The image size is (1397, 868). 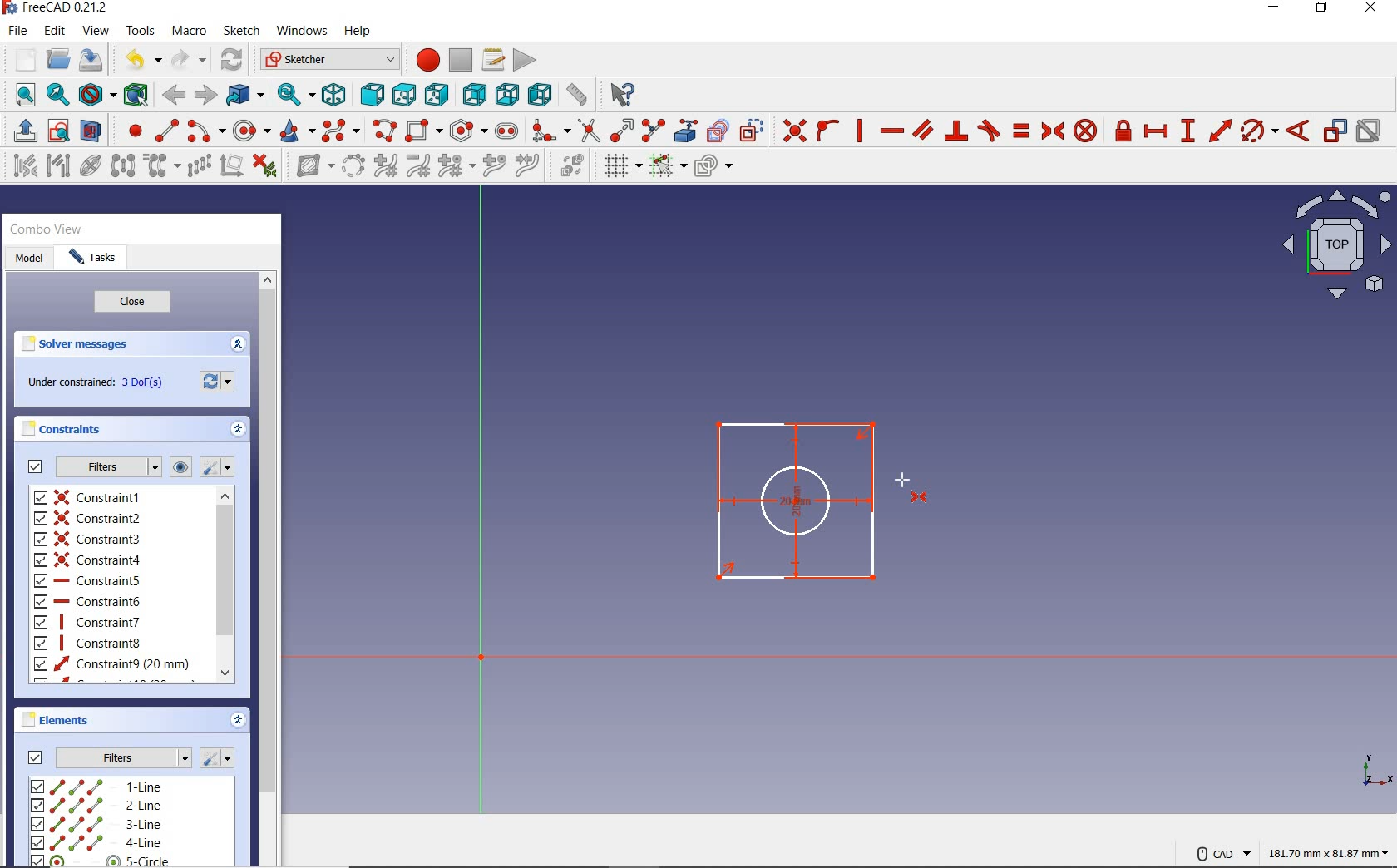 I want to click on constraint9 (20MM), so click(x=111, y=664).